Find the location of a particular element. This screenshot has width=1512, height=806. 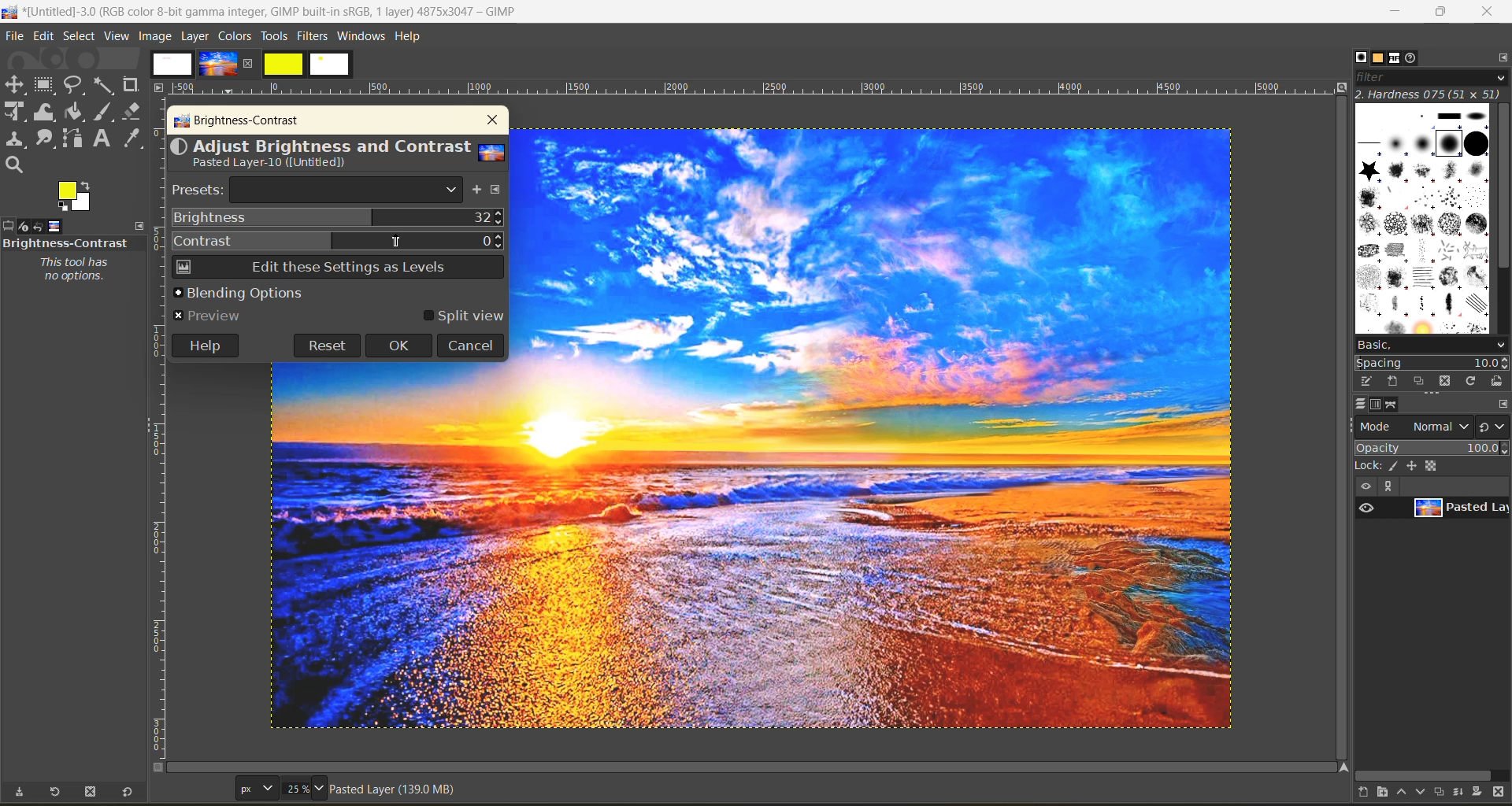

blending options is located at coordinates (238, 292).